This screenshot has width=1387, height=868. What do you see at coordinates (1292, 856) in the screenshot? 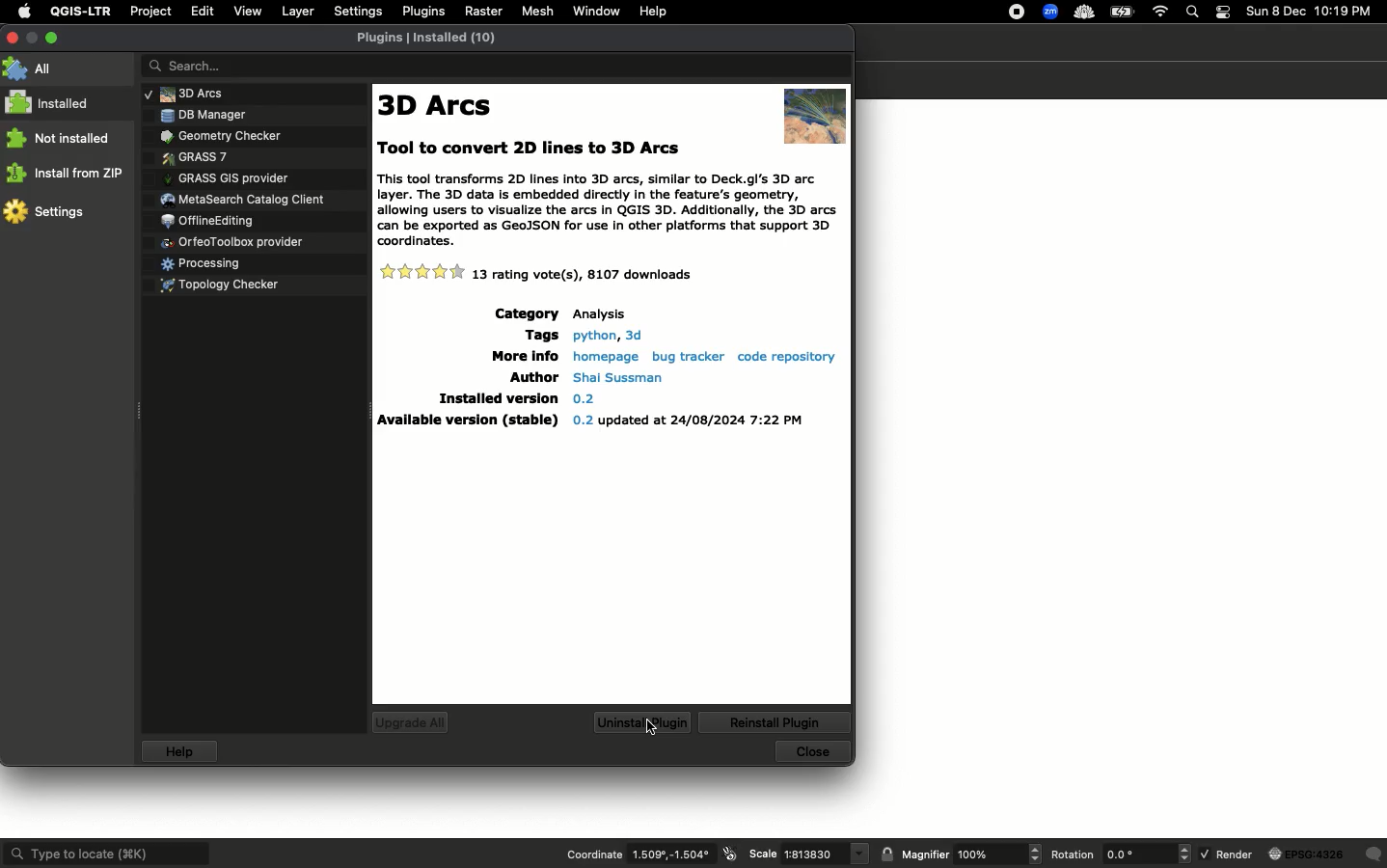
I see `Render` at bounding box center [1292, 856].